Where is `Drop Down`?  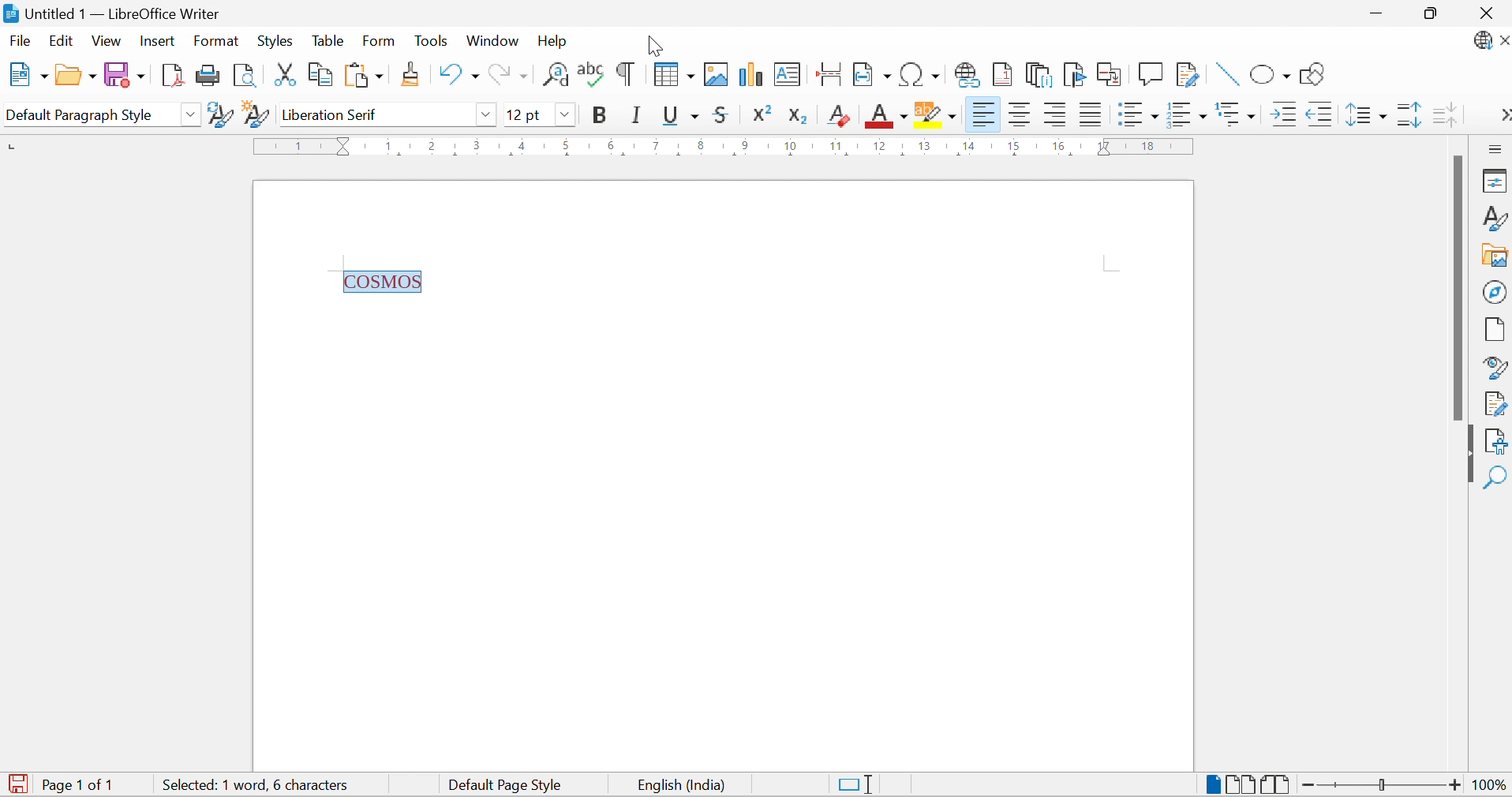
Drop Down is located at coordinates (566, 114).